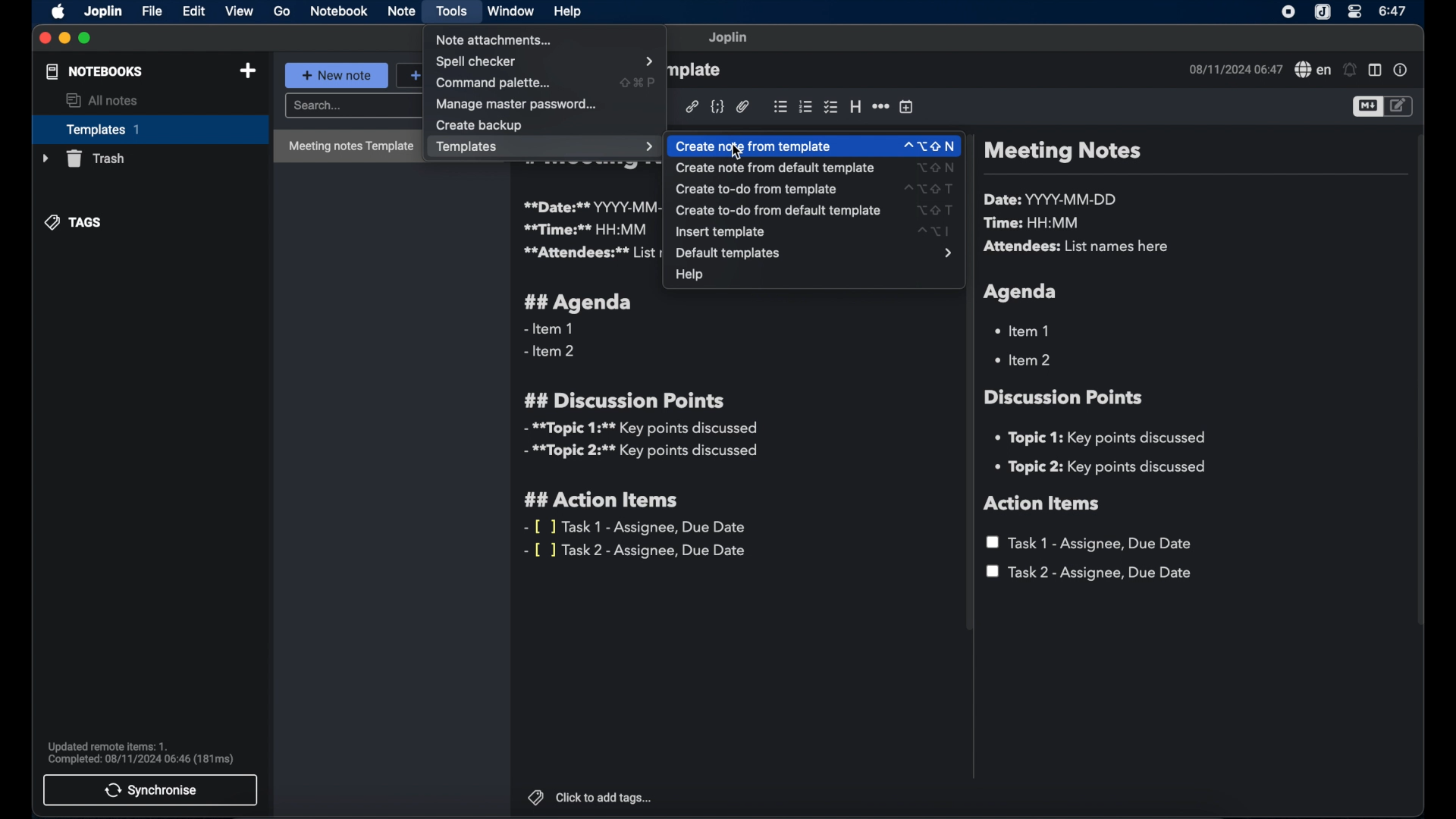 This screenshot has height=819, width=1456. I want to click on task 1 assigneedue date, so click(1092, 543).